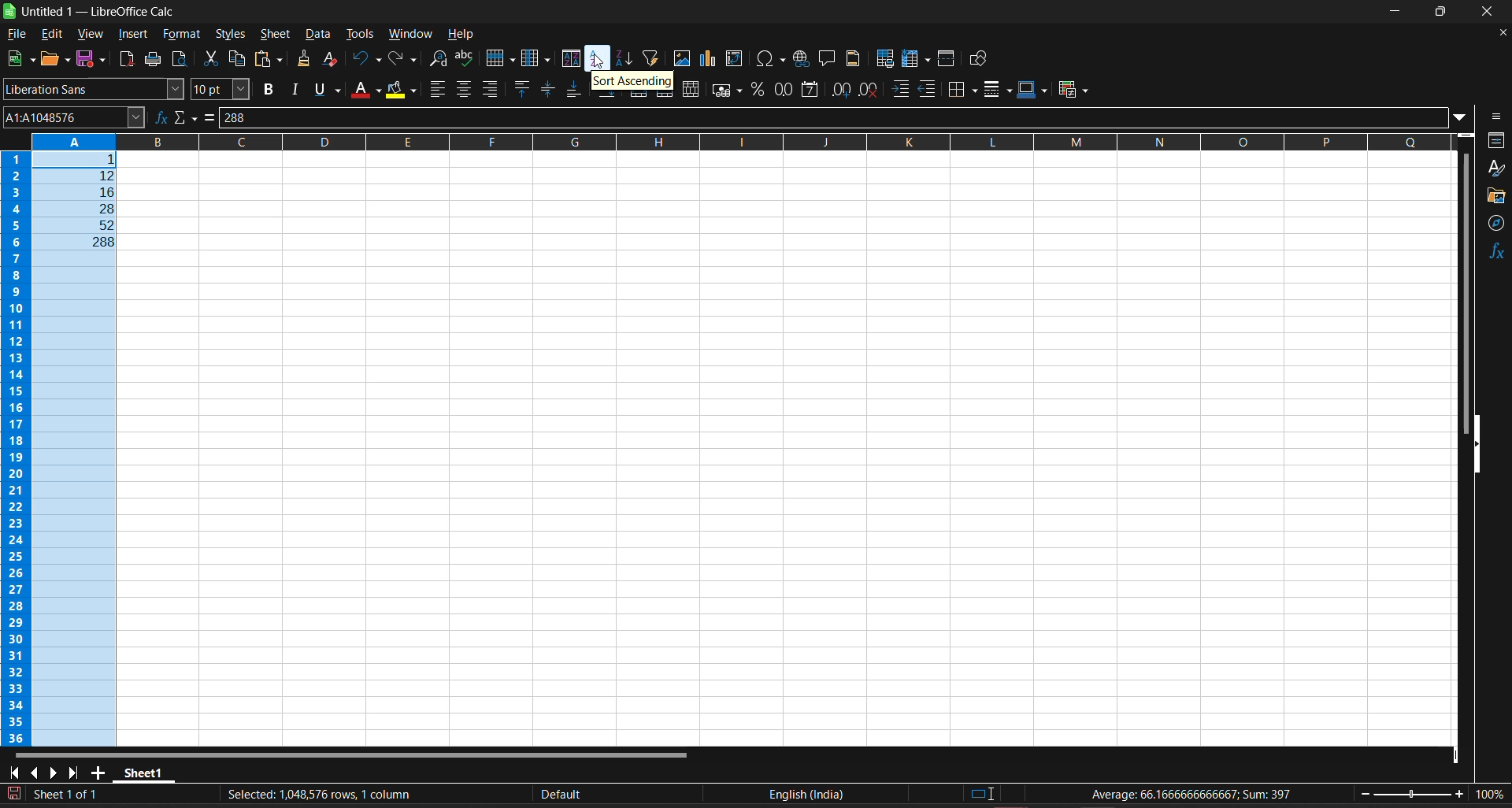 The height and width of the screenshot is (808, 1512). I want to click on functions, so click(1497, 253).